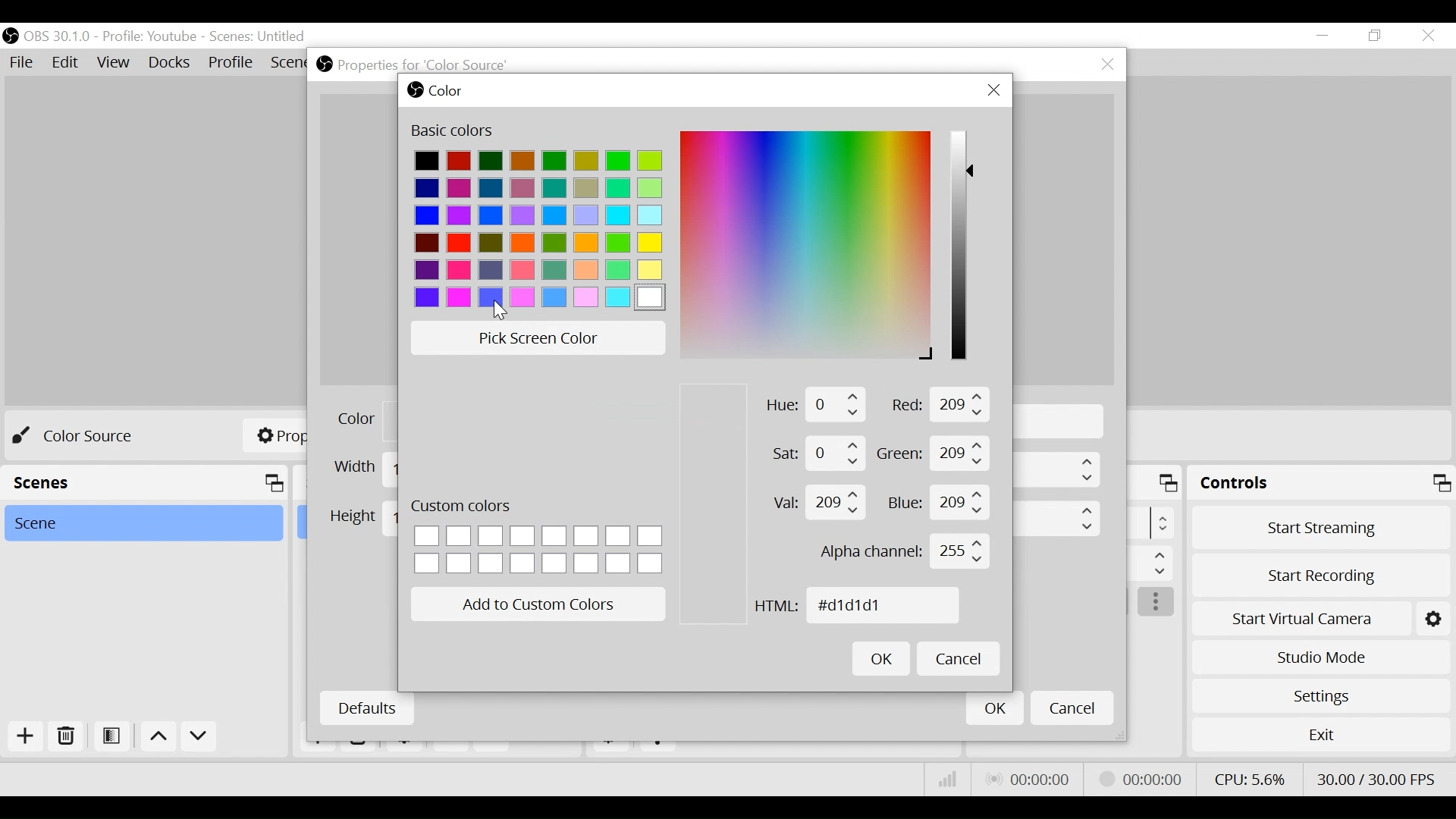 Image resolution: width=1456 pixels, height=819 pixels. I want to click on Delete, so click(67, 736).